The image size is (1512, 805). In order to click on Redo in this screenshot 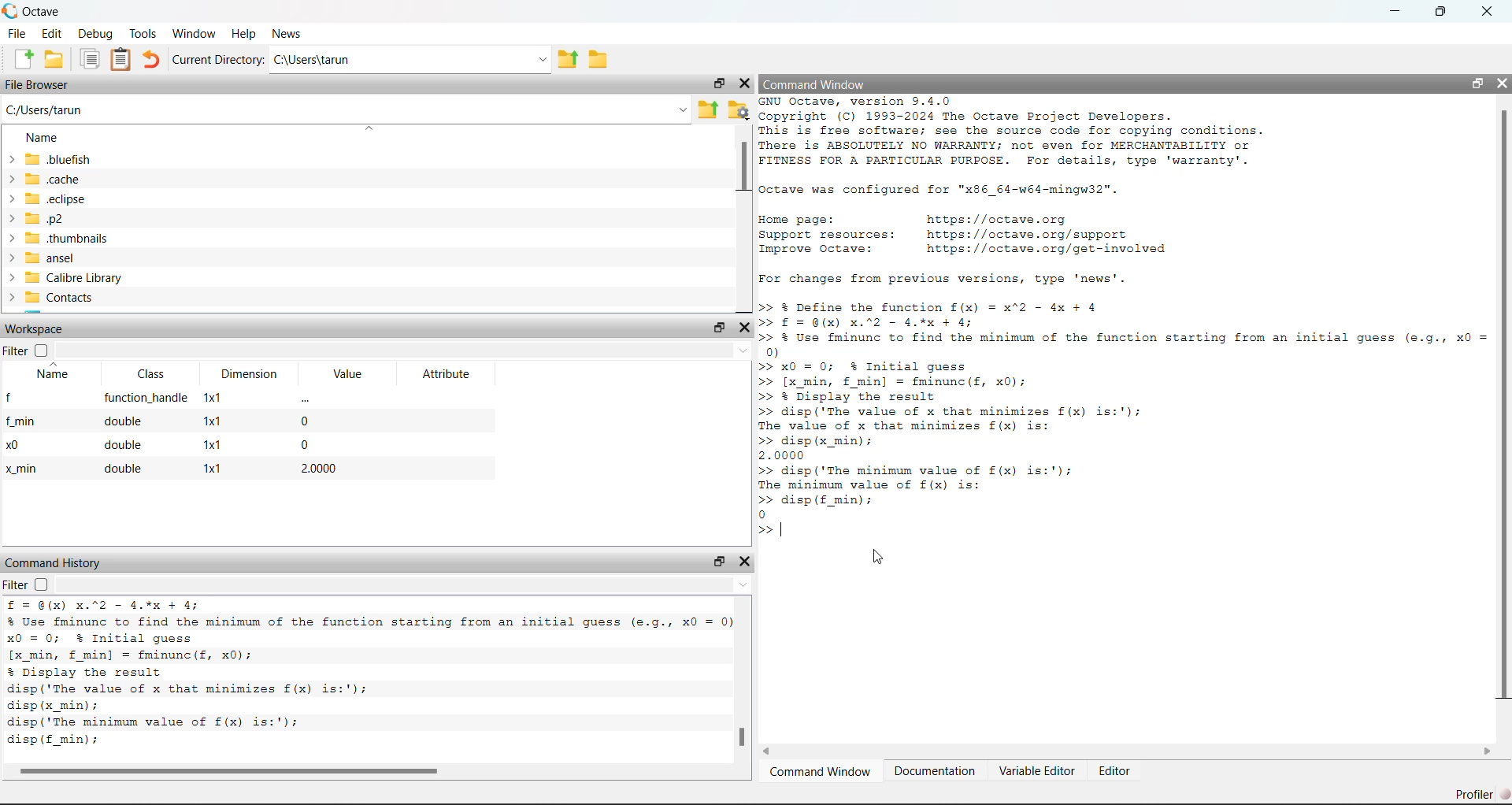, I will do `click(153, 58)`.